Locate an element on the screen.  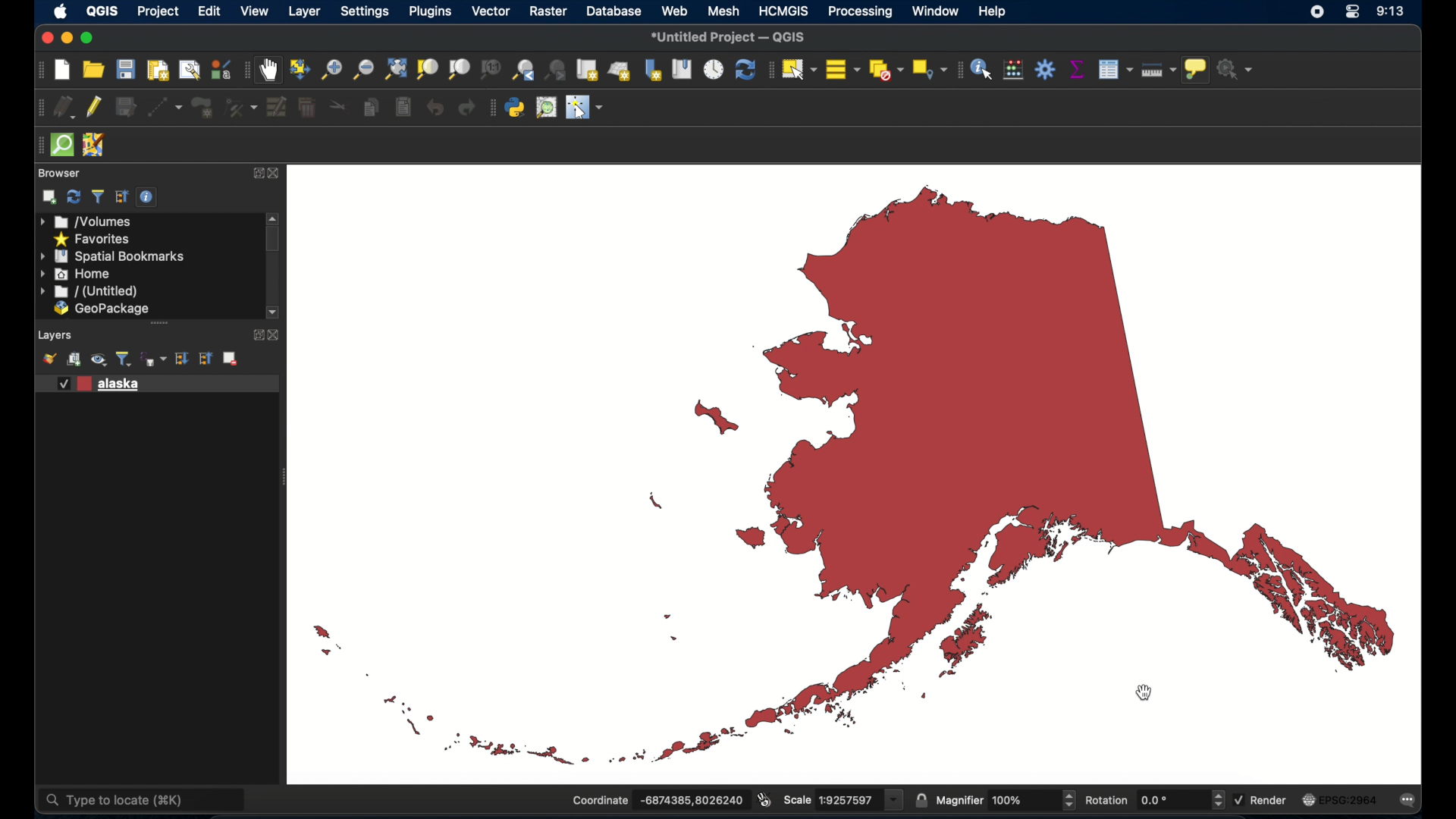
zoom next is located at coordinates (558, 69).